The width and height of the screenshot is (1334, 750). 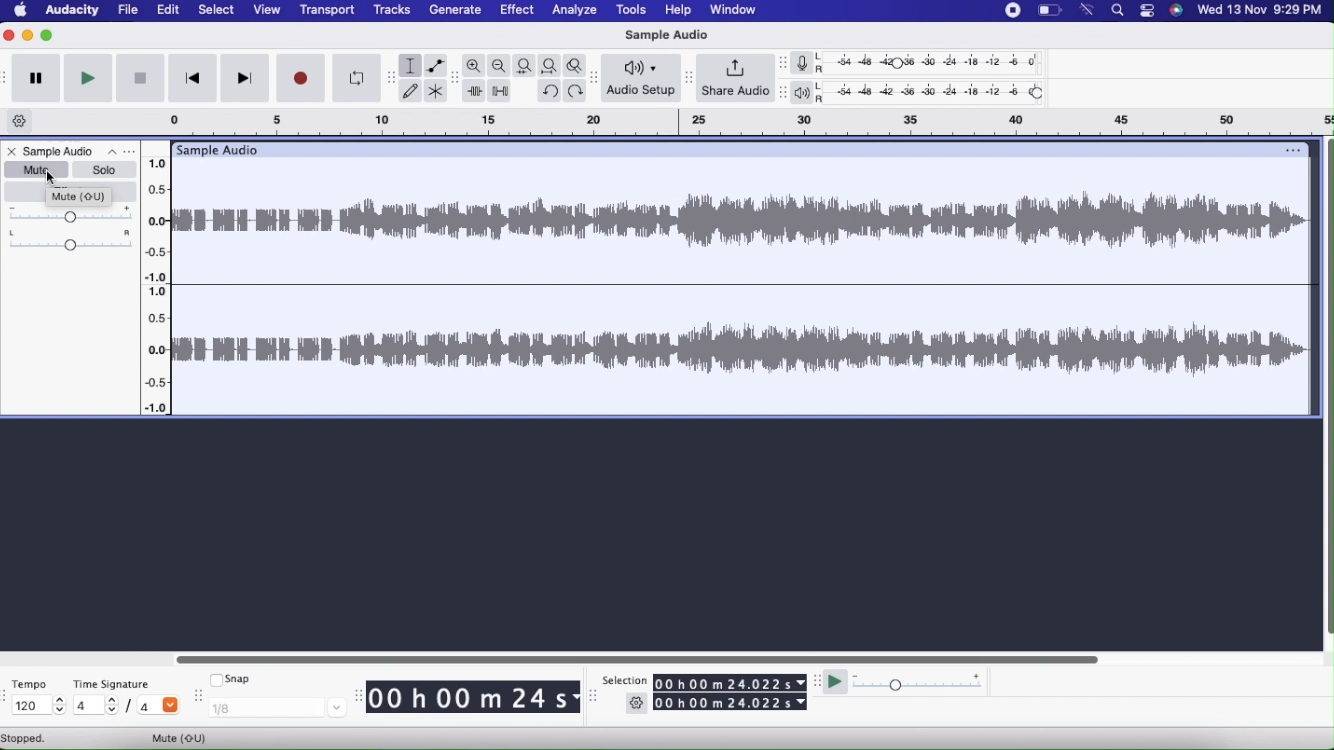 I want to click on Solo, so click(x=101, y=169).